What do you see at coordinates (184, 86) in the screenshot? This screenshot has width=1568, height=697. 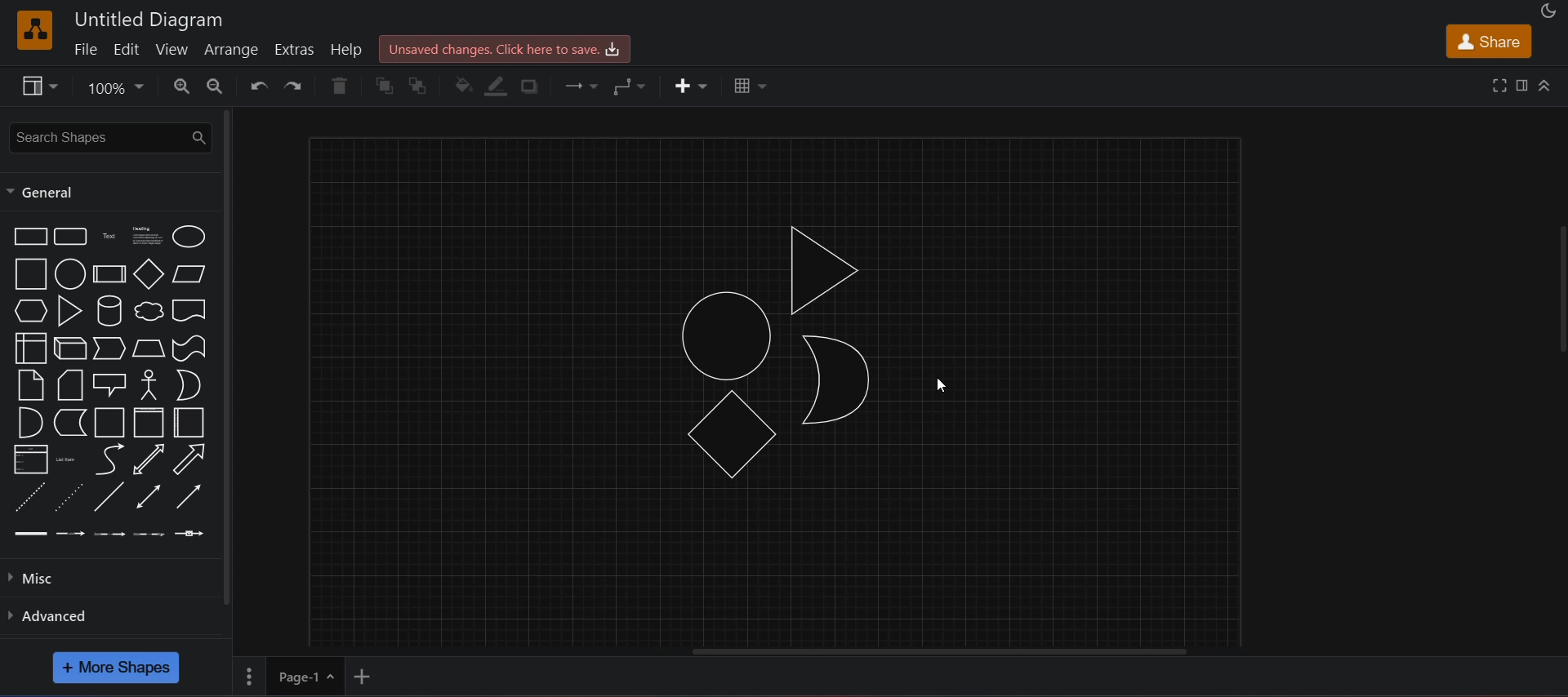 I see `zoom in` at bounding box center [184, 86].